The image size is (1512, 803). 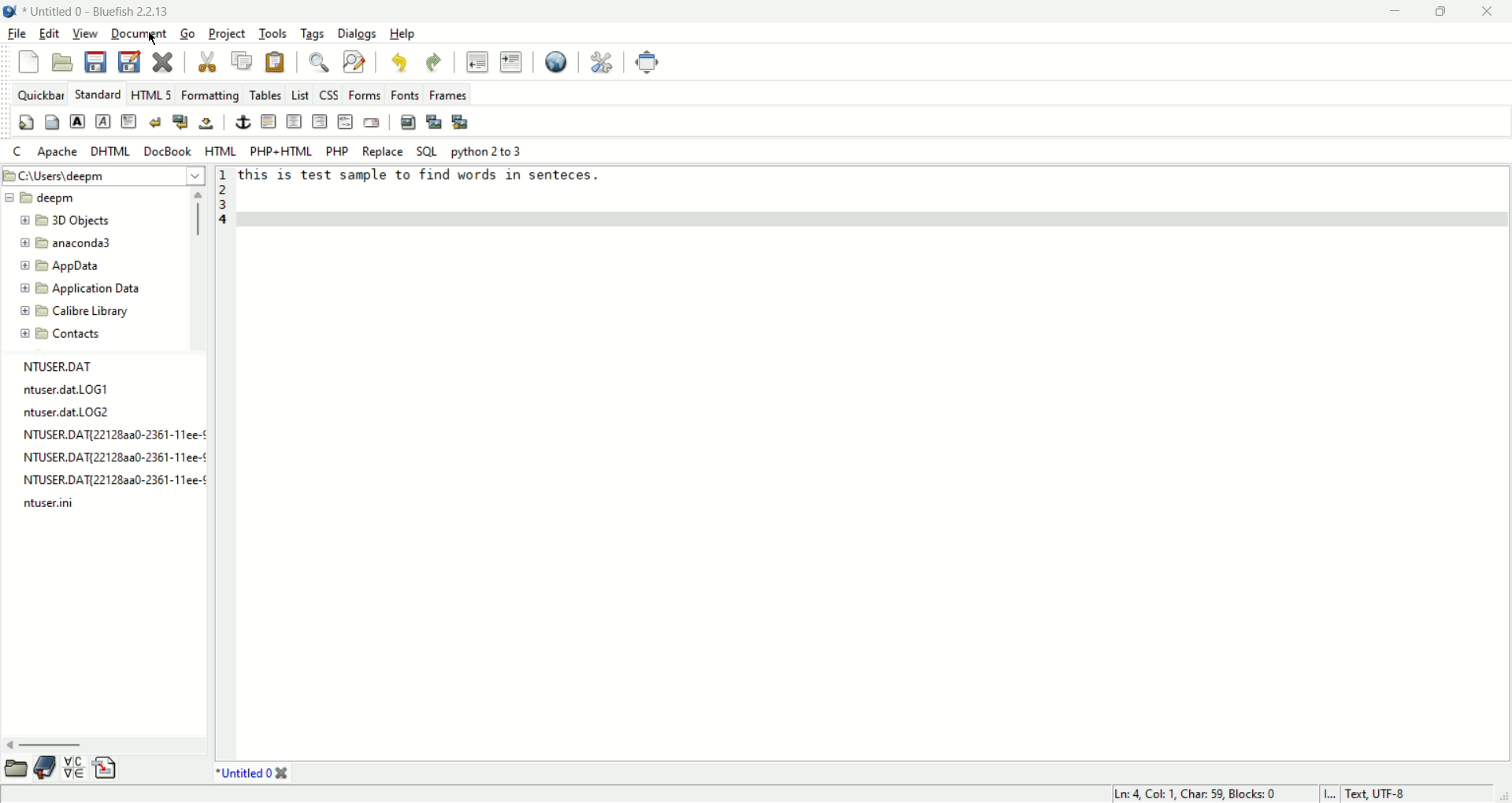 I want to click on ntuser.dat.LOG1, so click(x=80, y=390).